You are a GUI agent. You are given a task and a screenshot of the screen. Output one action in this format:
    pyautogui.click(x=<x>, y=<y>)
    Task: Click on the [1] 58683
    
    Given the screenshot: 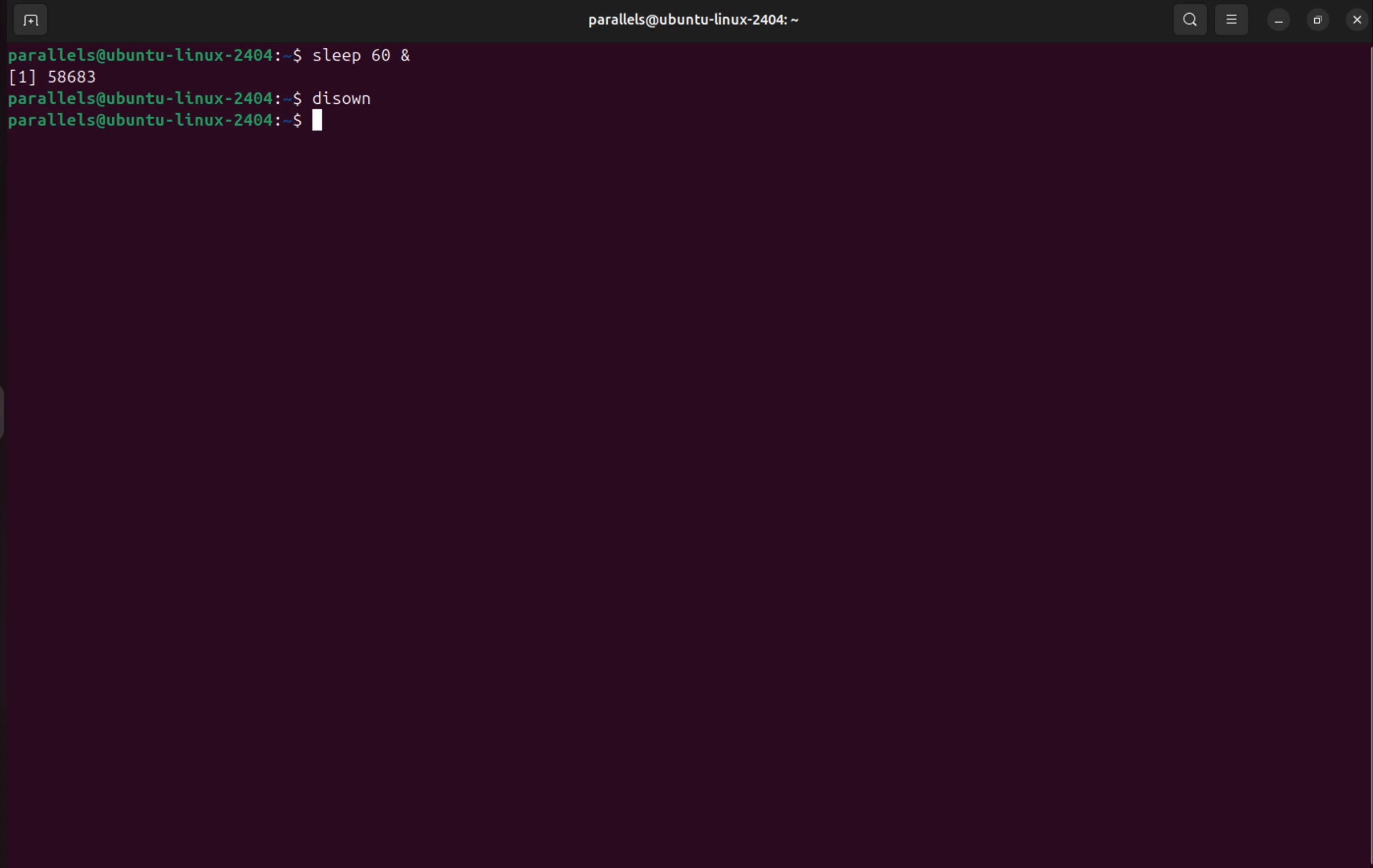 What is the action you would take?
    pyautogui.click(x=52, y=79)
    